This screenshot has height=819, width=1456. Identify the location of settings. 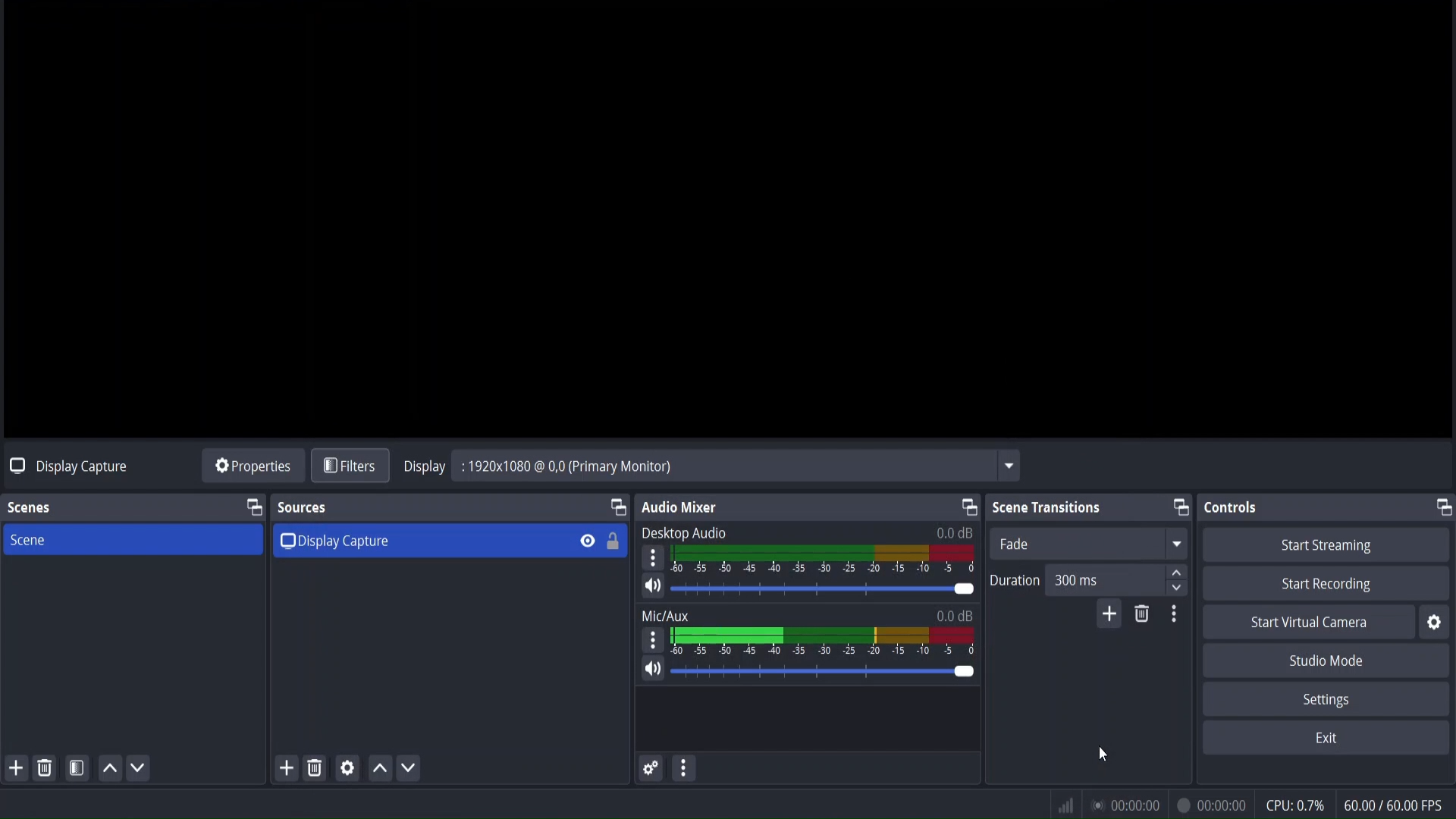
(1434, 623).